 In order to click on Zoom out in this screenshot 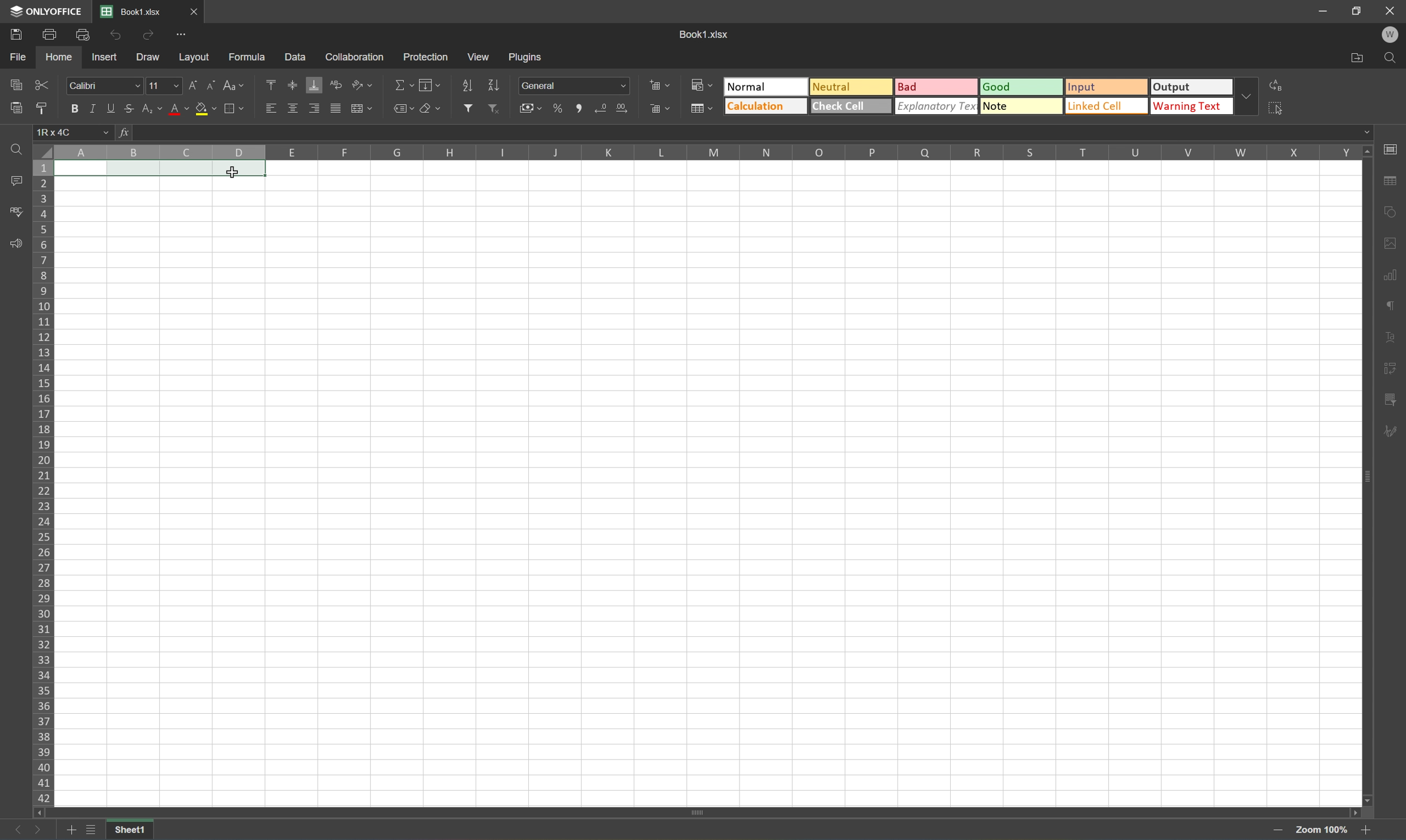, I will do `click(1361, 832)`.